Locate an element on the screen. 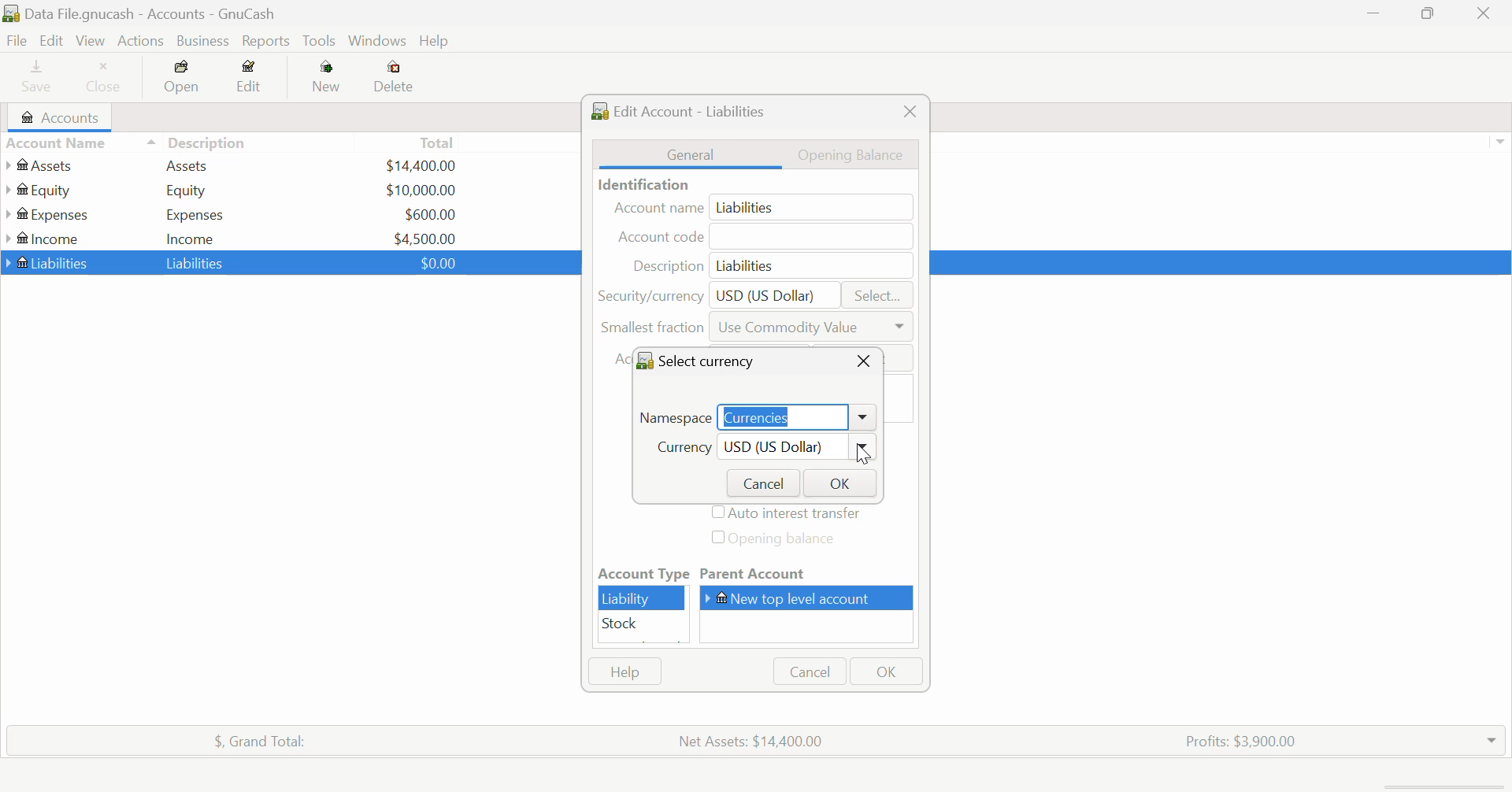 The image size is (1512, 792). Help is located at coordinates (624, 672).